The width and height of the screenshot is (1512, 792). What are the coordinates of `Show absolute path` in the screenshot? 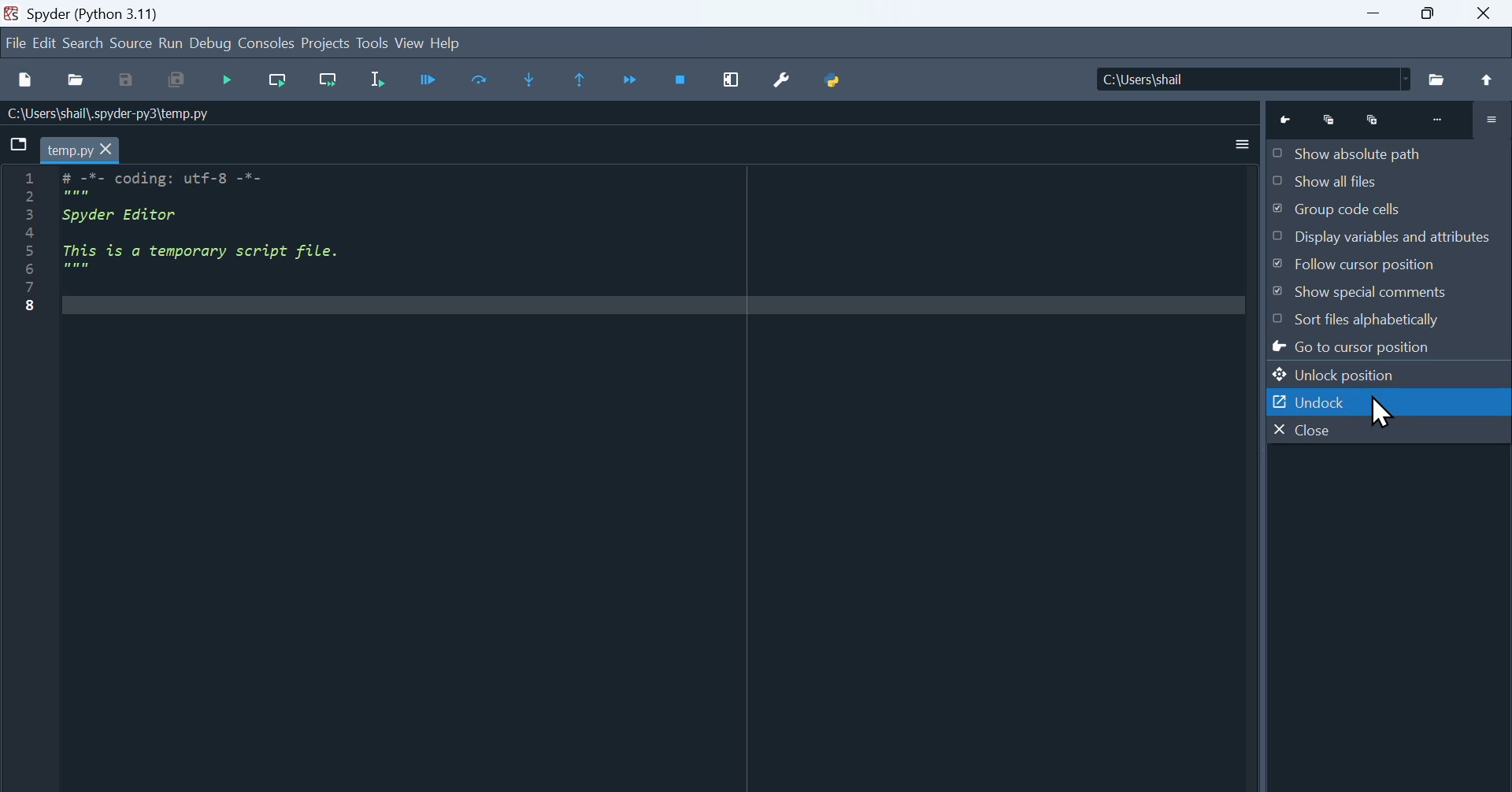 It's located at (1389, 154).